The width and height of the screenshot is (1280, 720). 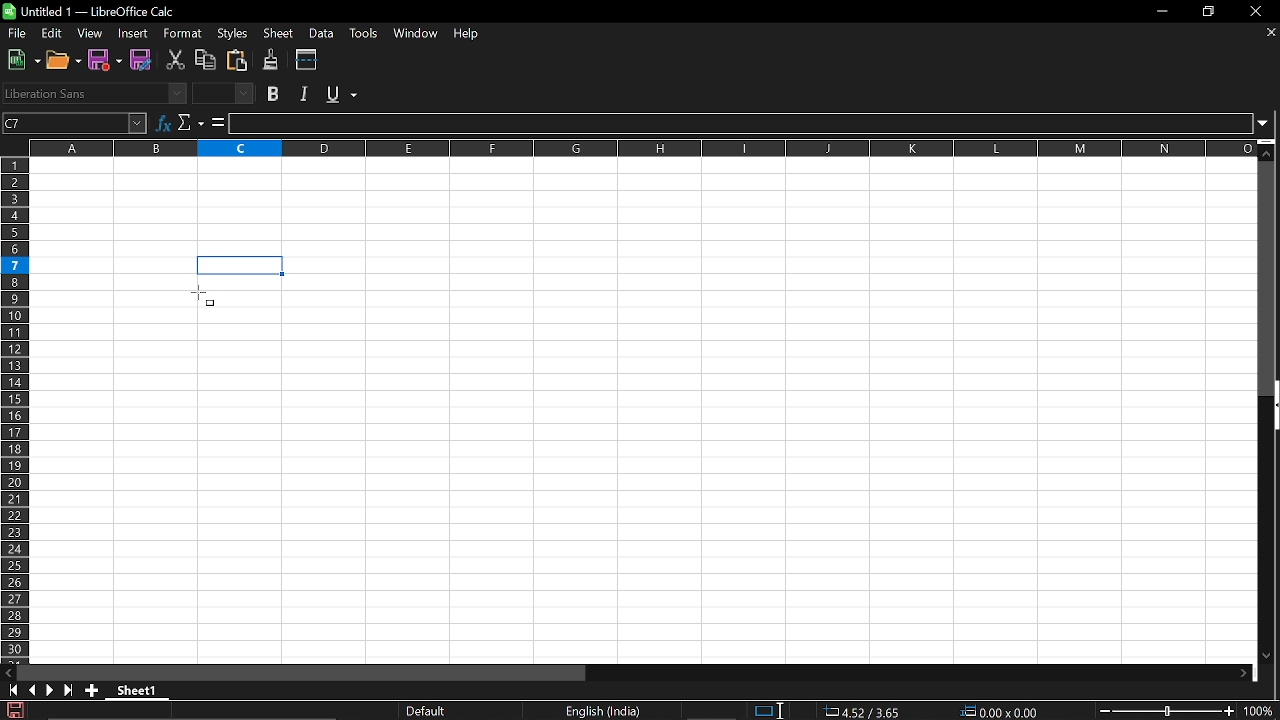 I want to click on File, so click(x=16, y=33).